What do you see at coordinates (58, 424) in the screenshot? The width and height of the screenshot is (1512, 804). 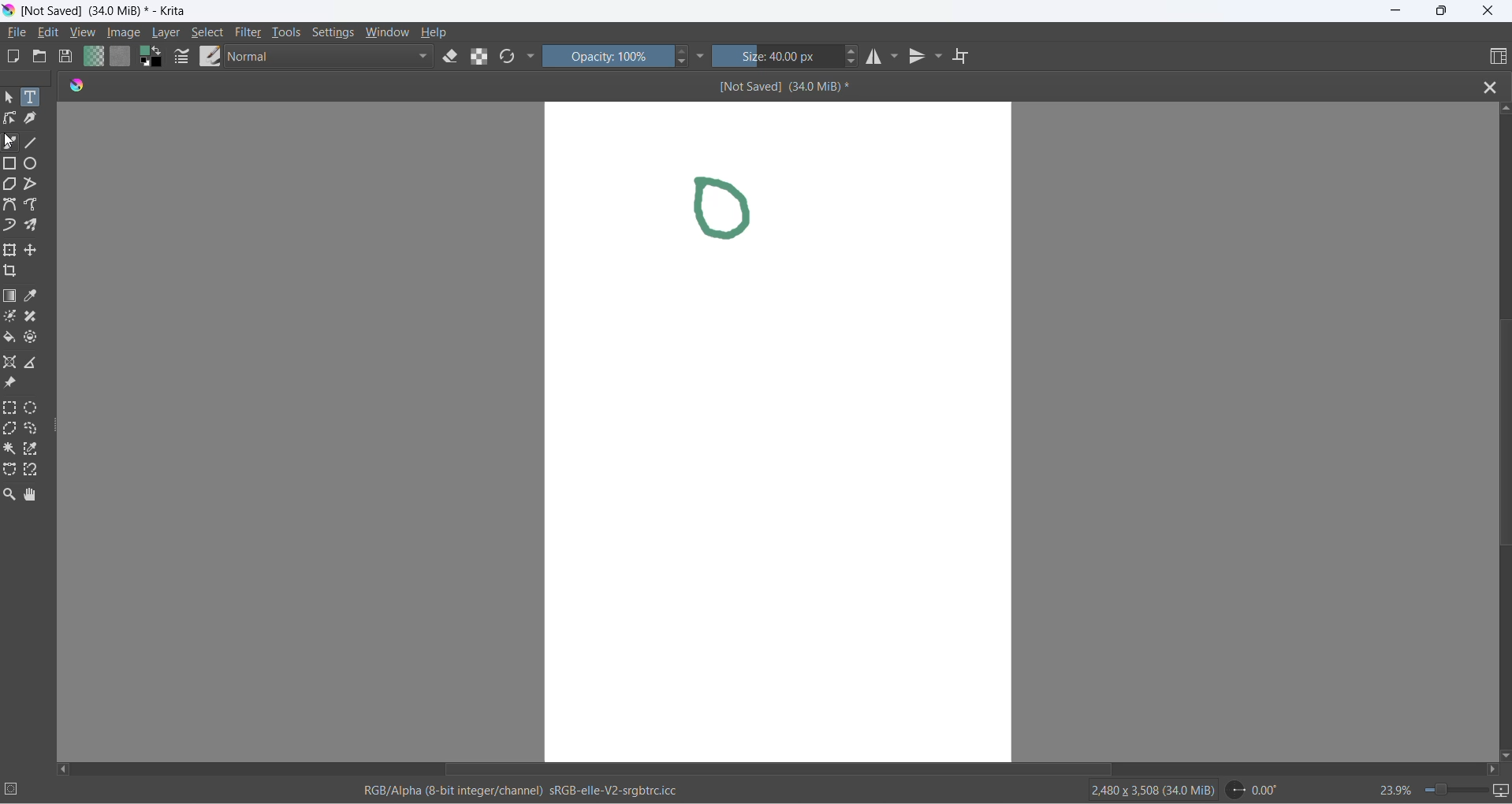 I see `resize` at bounding box center [58, 424].